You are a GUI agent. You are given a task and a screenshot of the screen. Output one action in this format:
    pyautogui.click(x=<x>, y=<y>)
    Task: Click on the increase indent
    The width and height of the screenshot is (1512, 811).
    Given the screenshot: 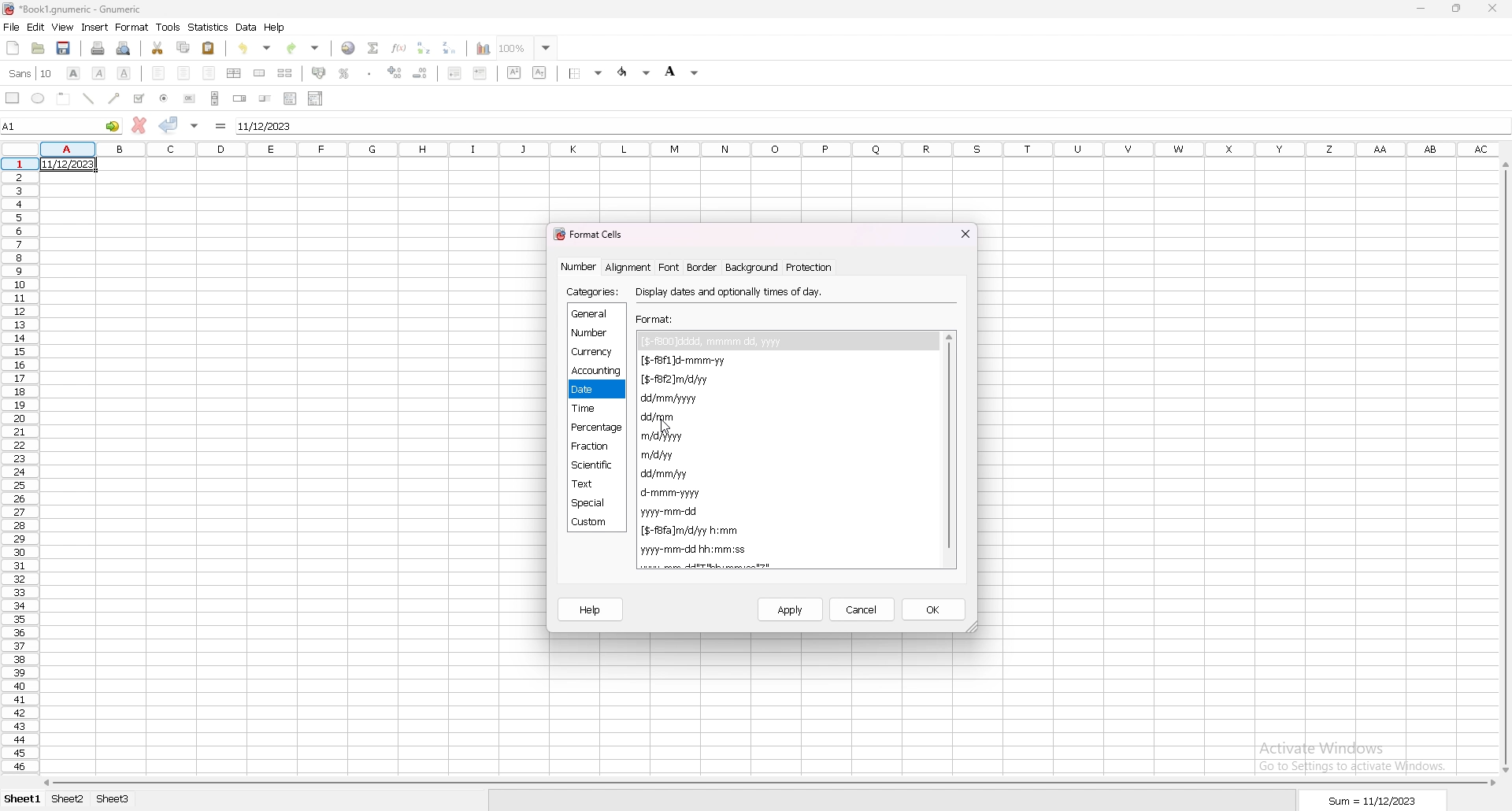 What is the action you would take?
    pyautogui.click(x=481, y=73)
    